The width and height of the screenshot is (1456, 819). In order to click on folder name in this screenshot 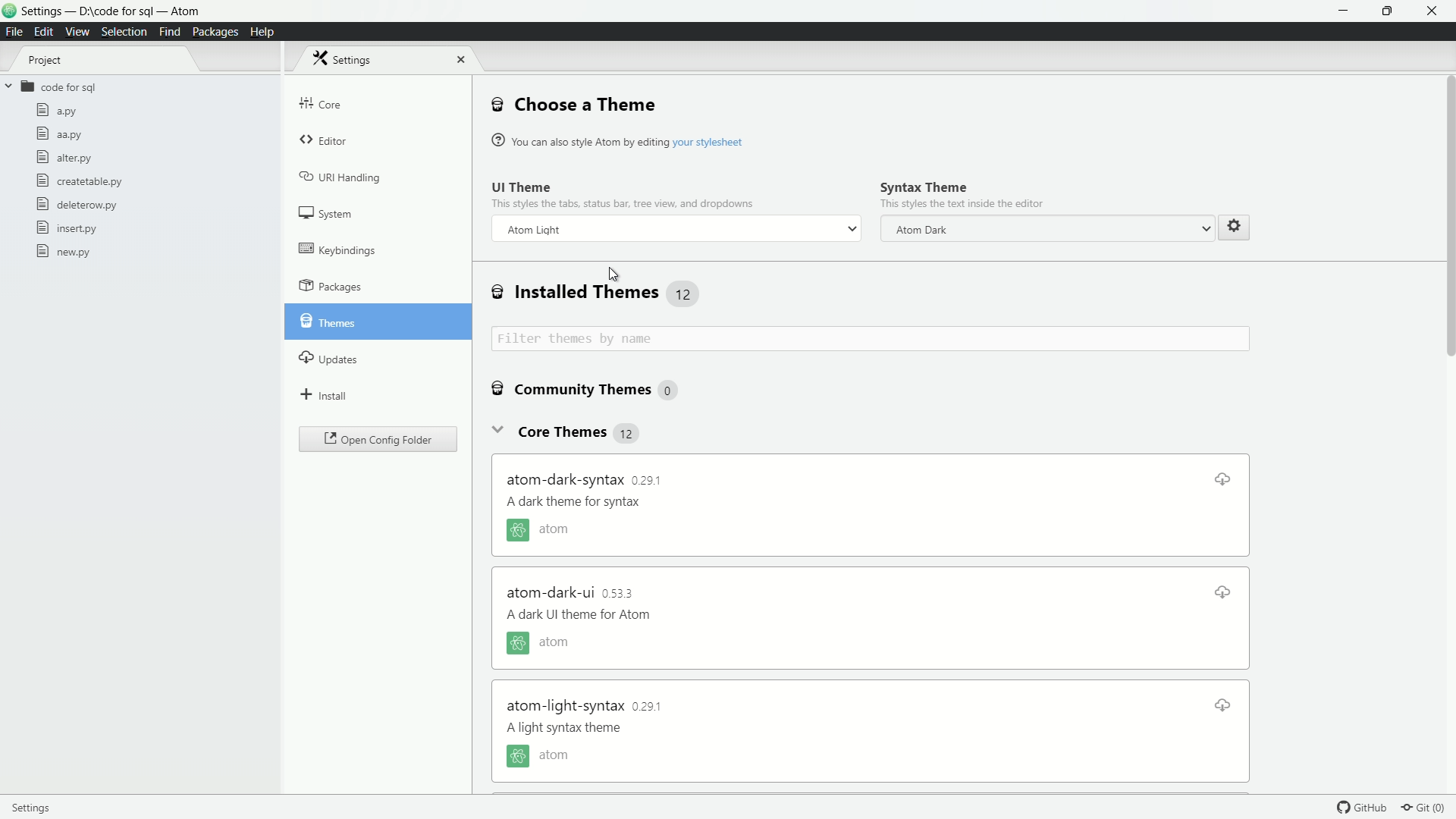, I will do `click(60, 88)`.